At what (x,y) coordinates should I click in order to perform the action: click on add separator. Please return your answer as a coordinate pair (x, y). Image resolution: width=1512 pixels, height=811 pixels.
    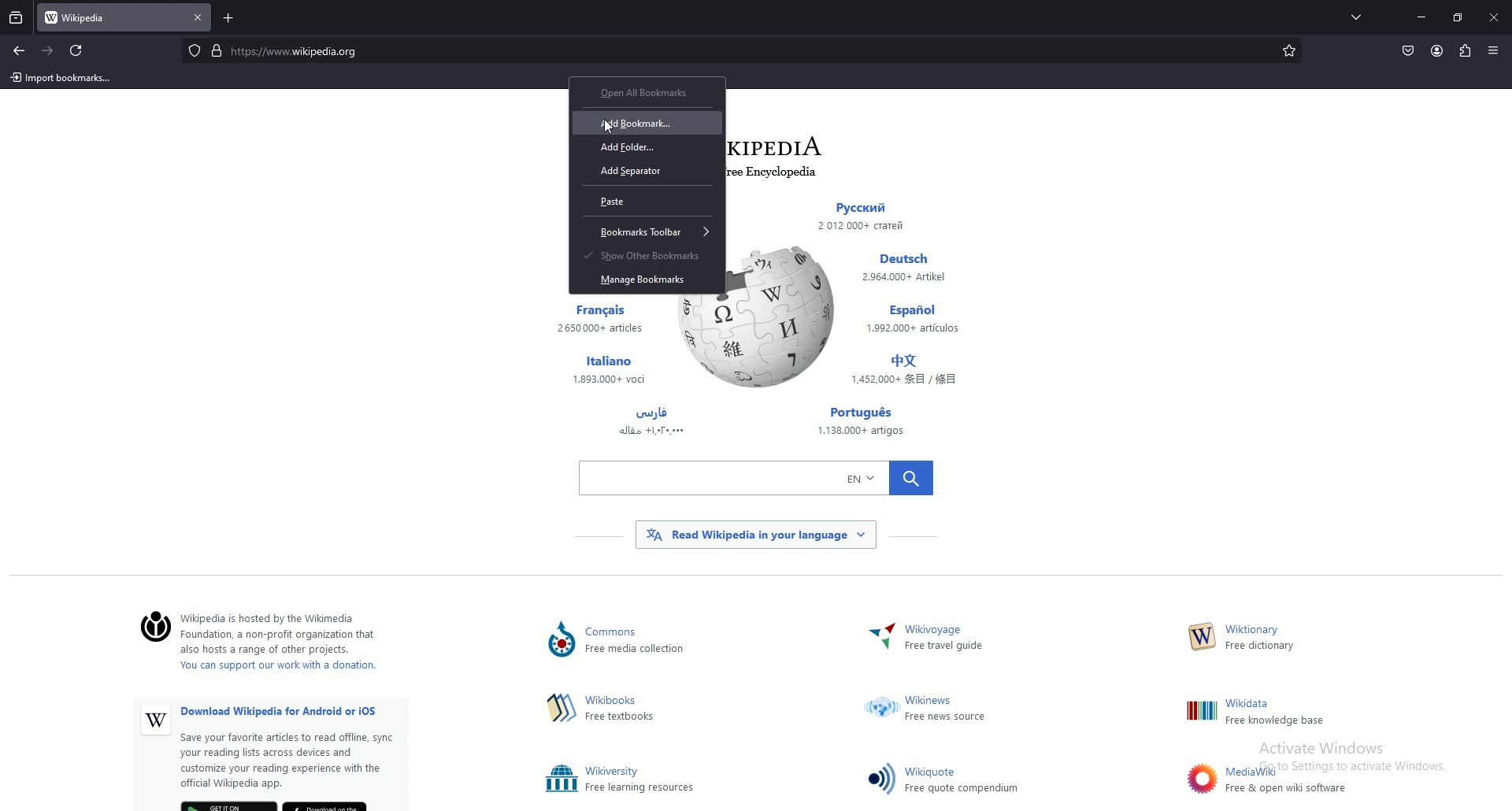
    Looking at the image, I should click on (643, 170).